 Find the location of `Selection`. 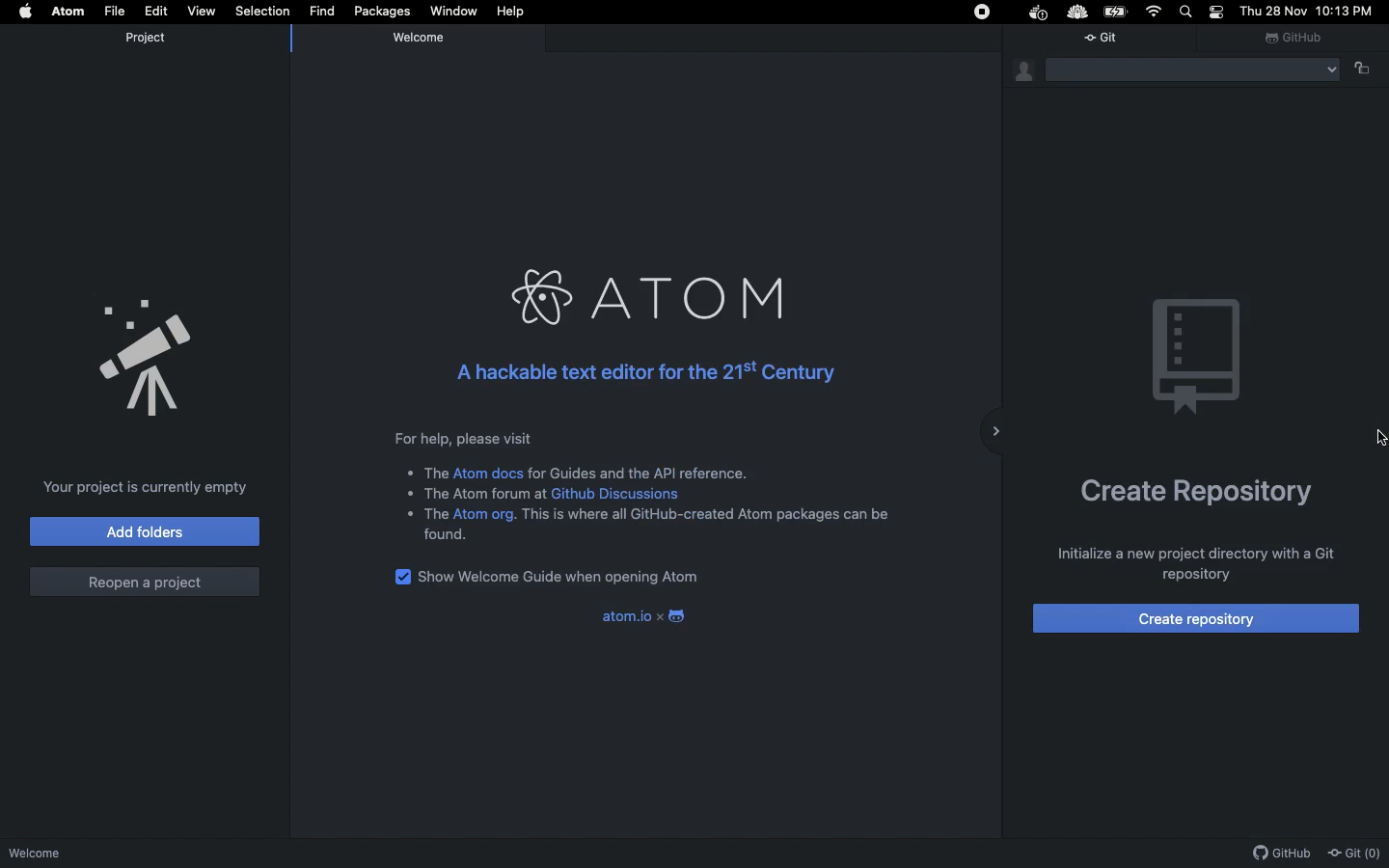

Selection is located at coordinates (262, 11).